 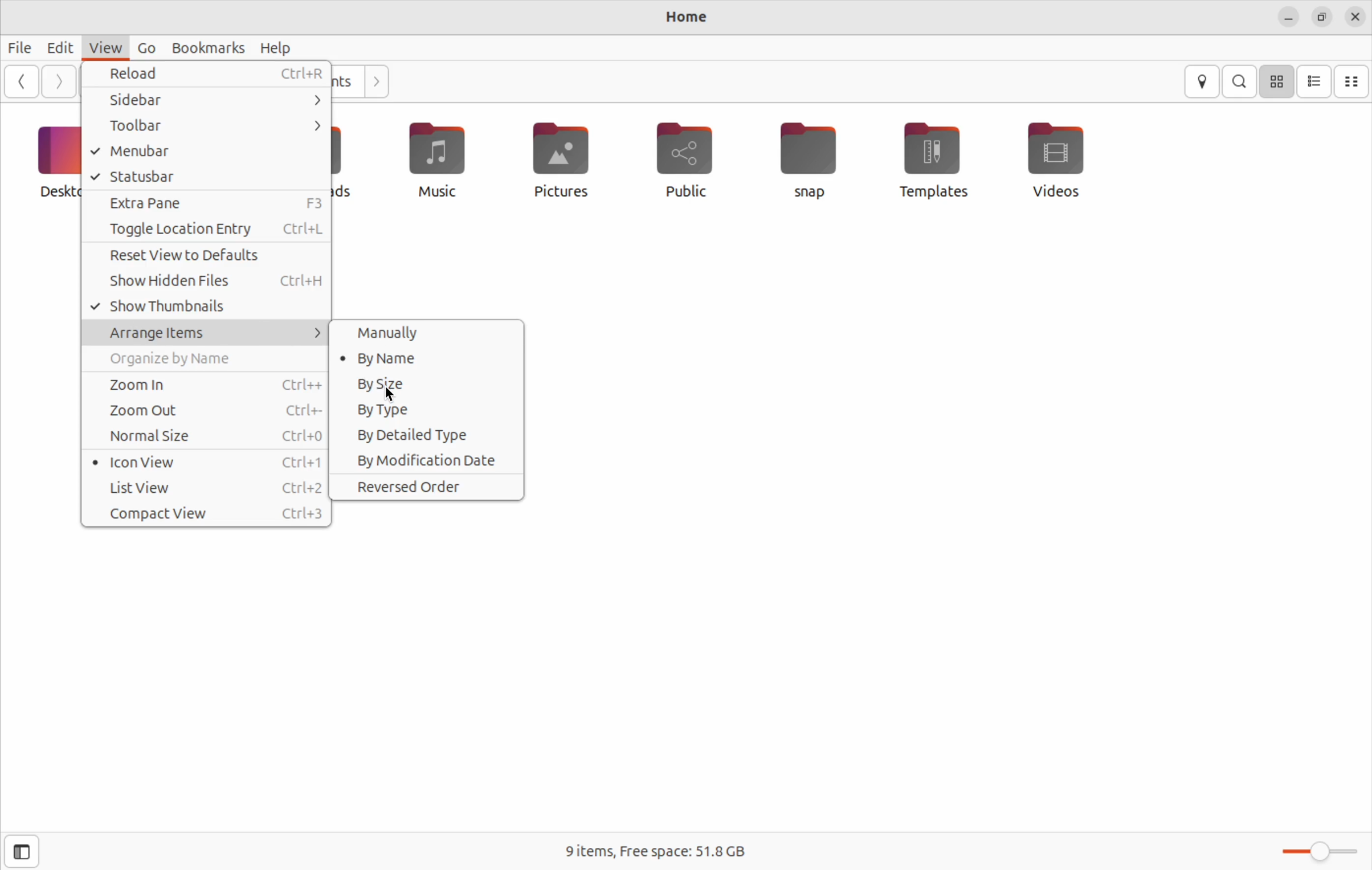 What do you see at coordinates (205, 100) in the screenshot?
I see `sidebar` at bounding box center [205, 100].